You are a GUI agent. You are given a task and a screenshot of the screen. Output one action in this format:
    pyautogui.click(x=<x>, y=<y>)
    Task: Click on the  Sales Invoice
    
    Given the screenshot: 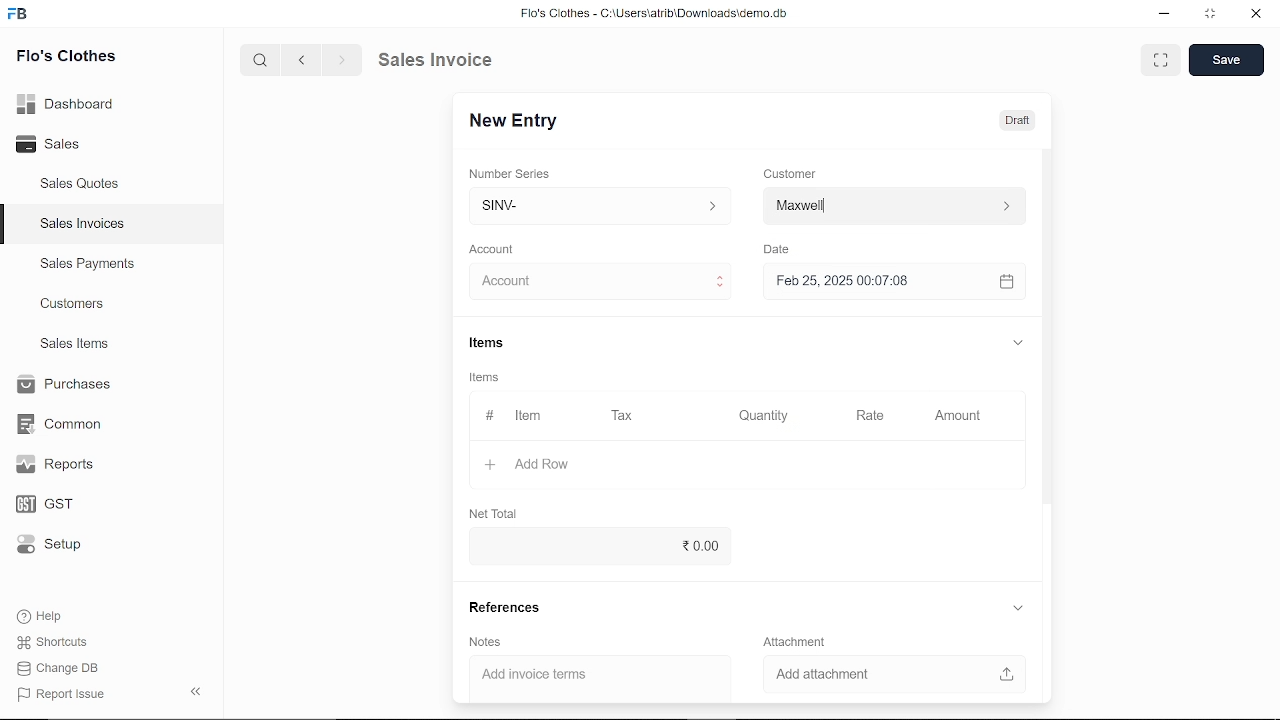 What is the action you would take?
    pyautogui.click(x=446, y=61)
    